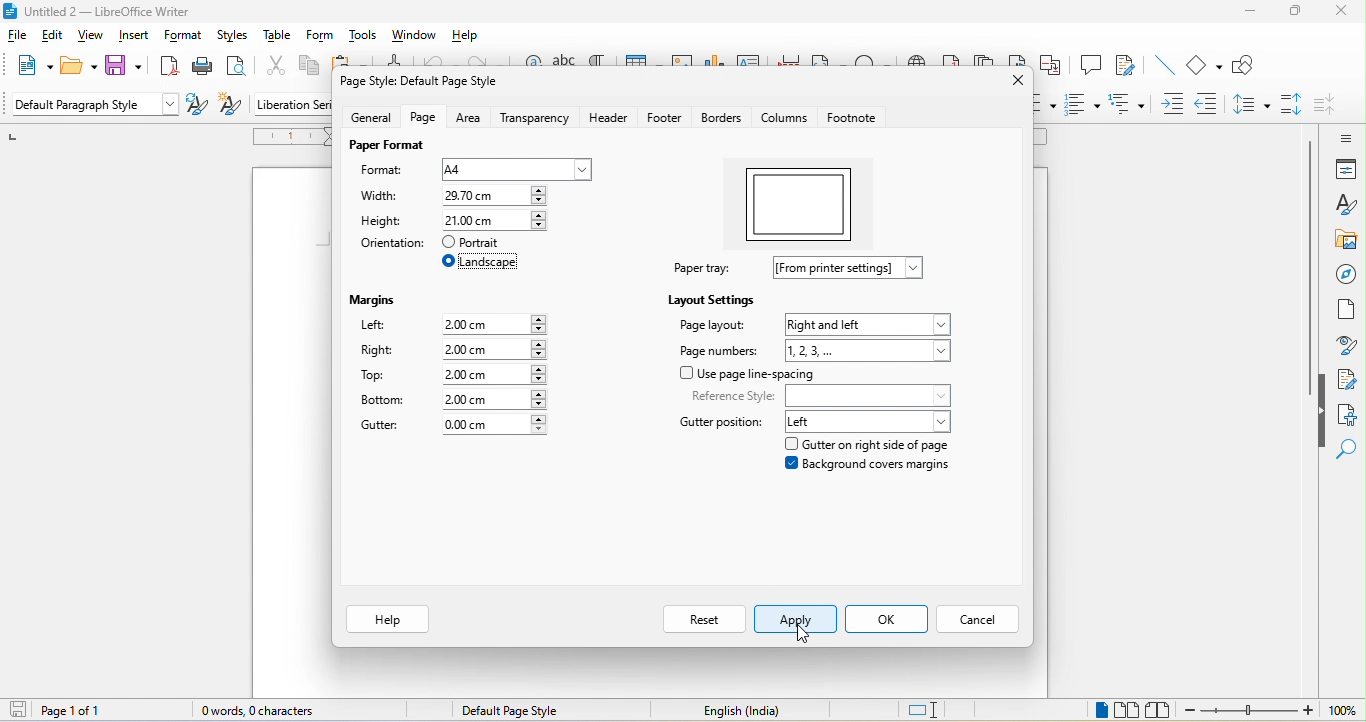  What do you see at coordinates (1255, 68) in the screenshot?
I see `show draw function` at bounding box center [1255, 68].